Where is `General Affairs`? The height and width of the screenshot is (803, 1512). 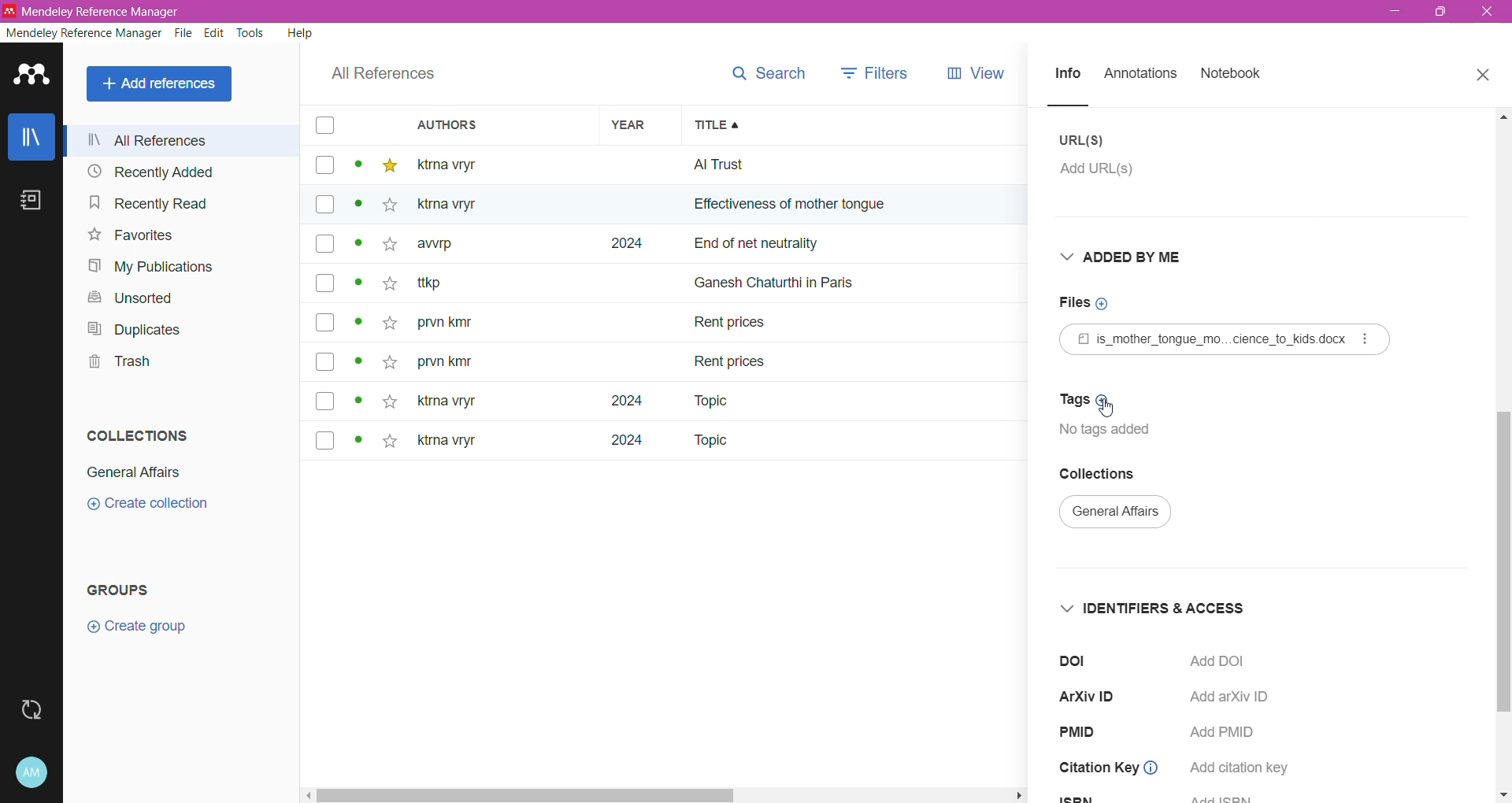 General Affairs is located at coordinates (134, 472).